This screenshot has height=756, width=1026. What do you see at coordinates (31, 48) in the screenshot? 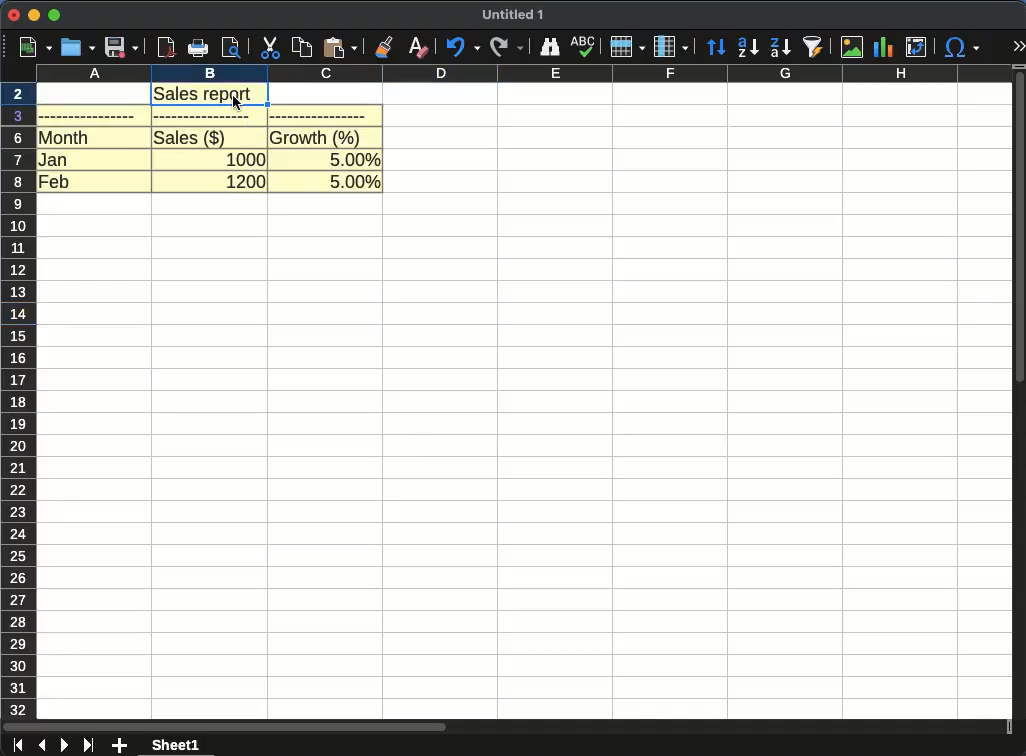
I see `new` at bounding box center [31, 48].